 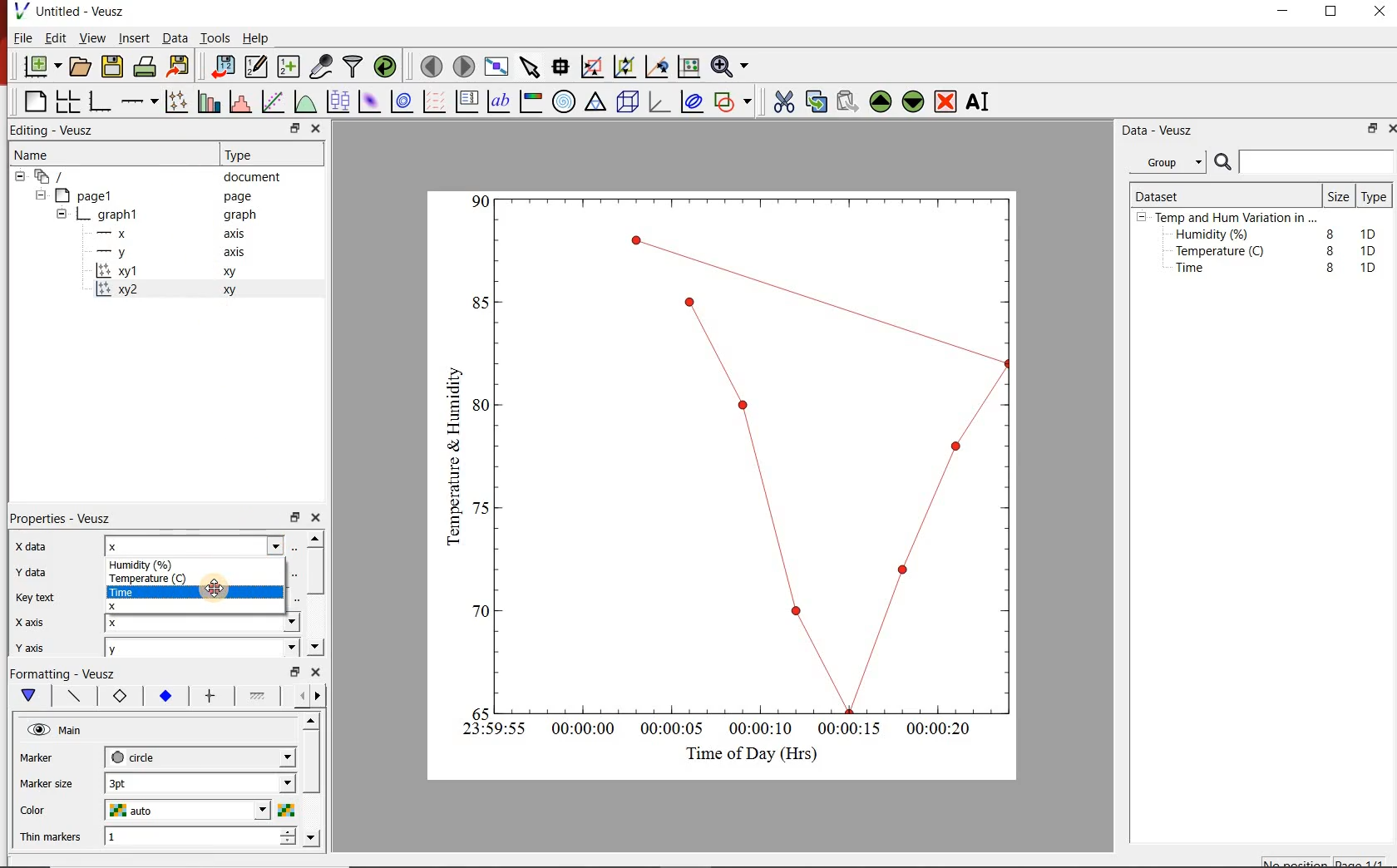 I want to click on document widget, so click(x=59, y=177).